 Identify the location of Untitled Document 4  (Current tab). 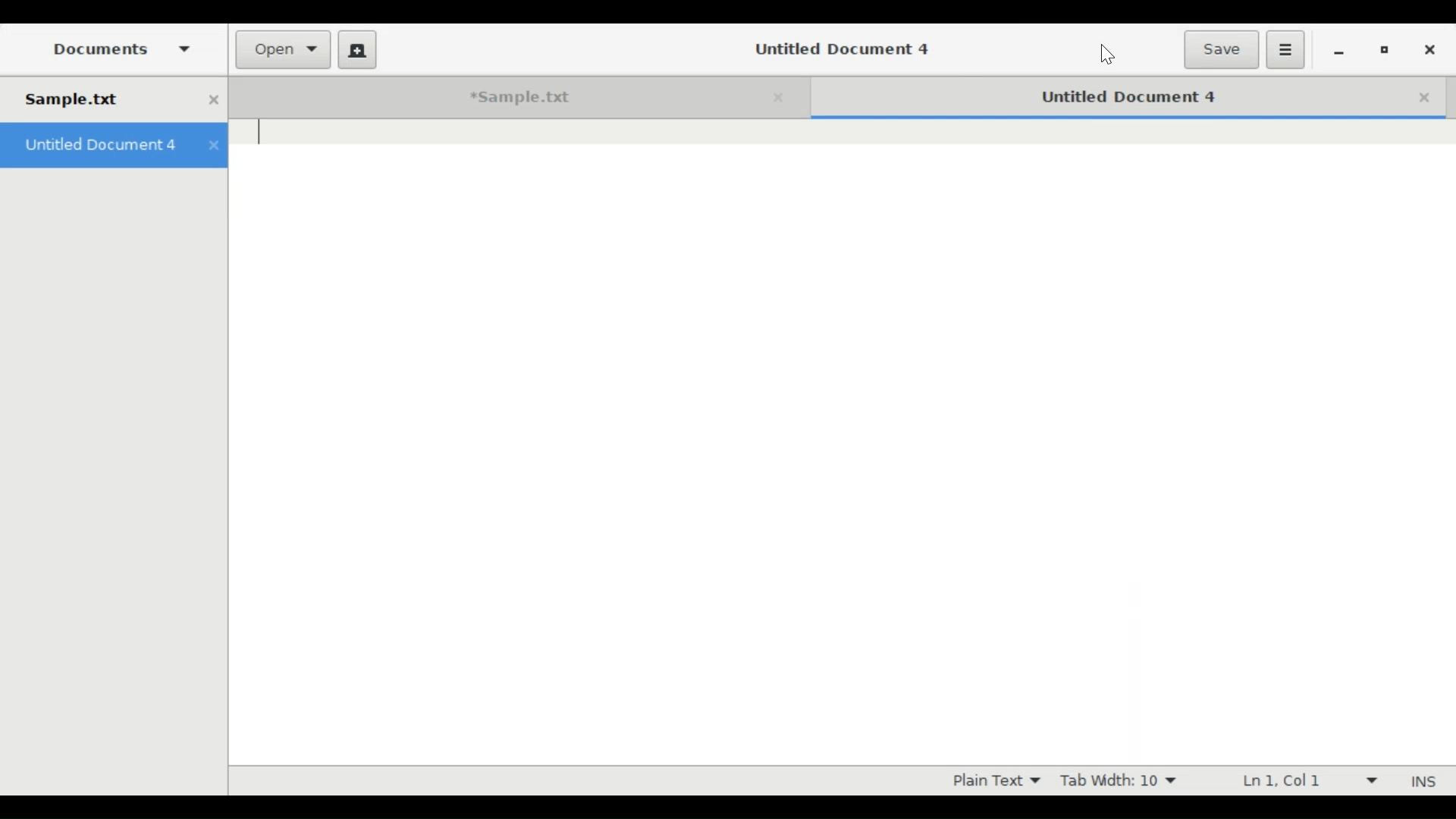
(1112, 96).